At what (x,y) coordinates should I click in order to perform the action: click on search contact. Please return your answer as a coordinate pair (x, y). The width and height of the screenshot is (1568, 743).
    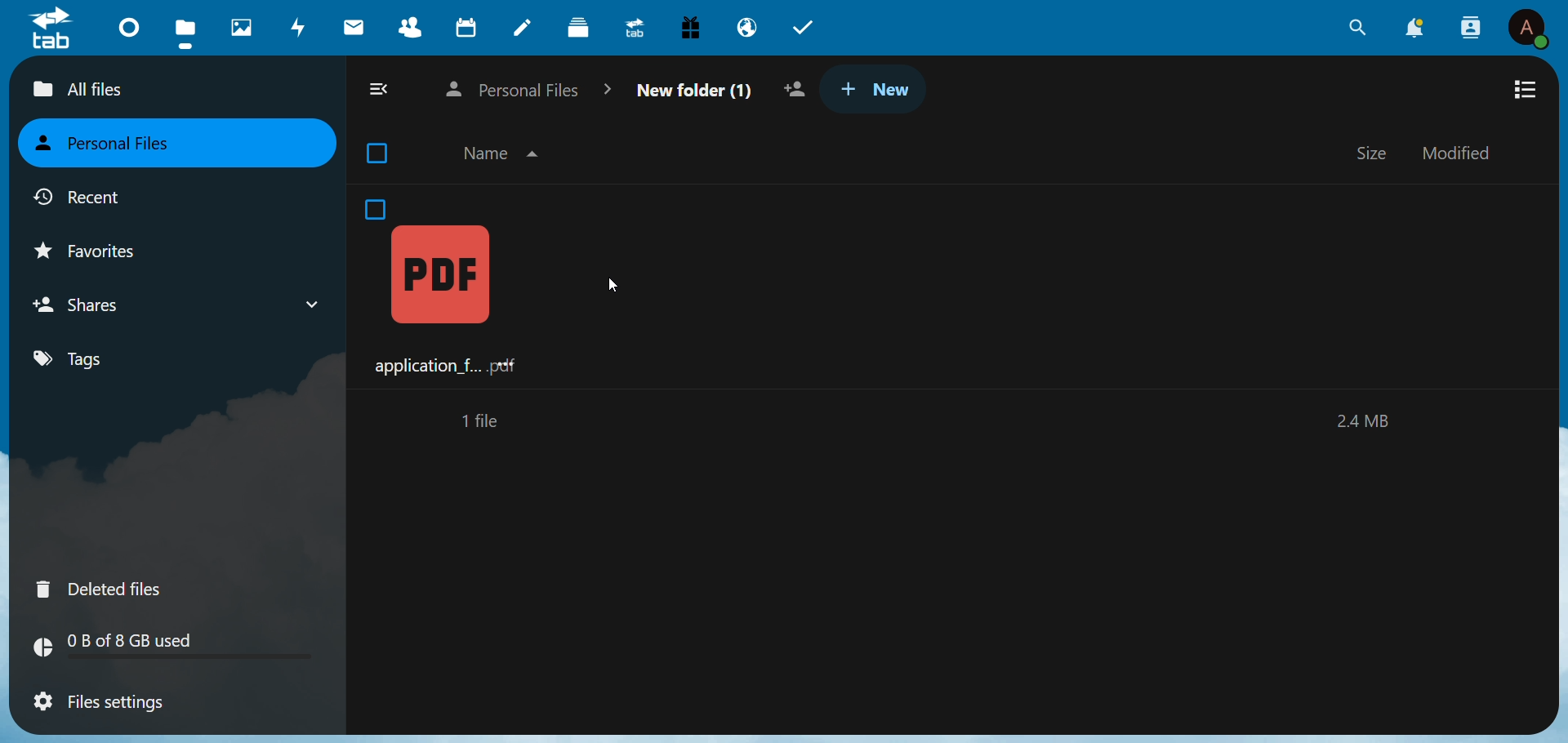
    Looking at the image, I should click on (1468, 25).